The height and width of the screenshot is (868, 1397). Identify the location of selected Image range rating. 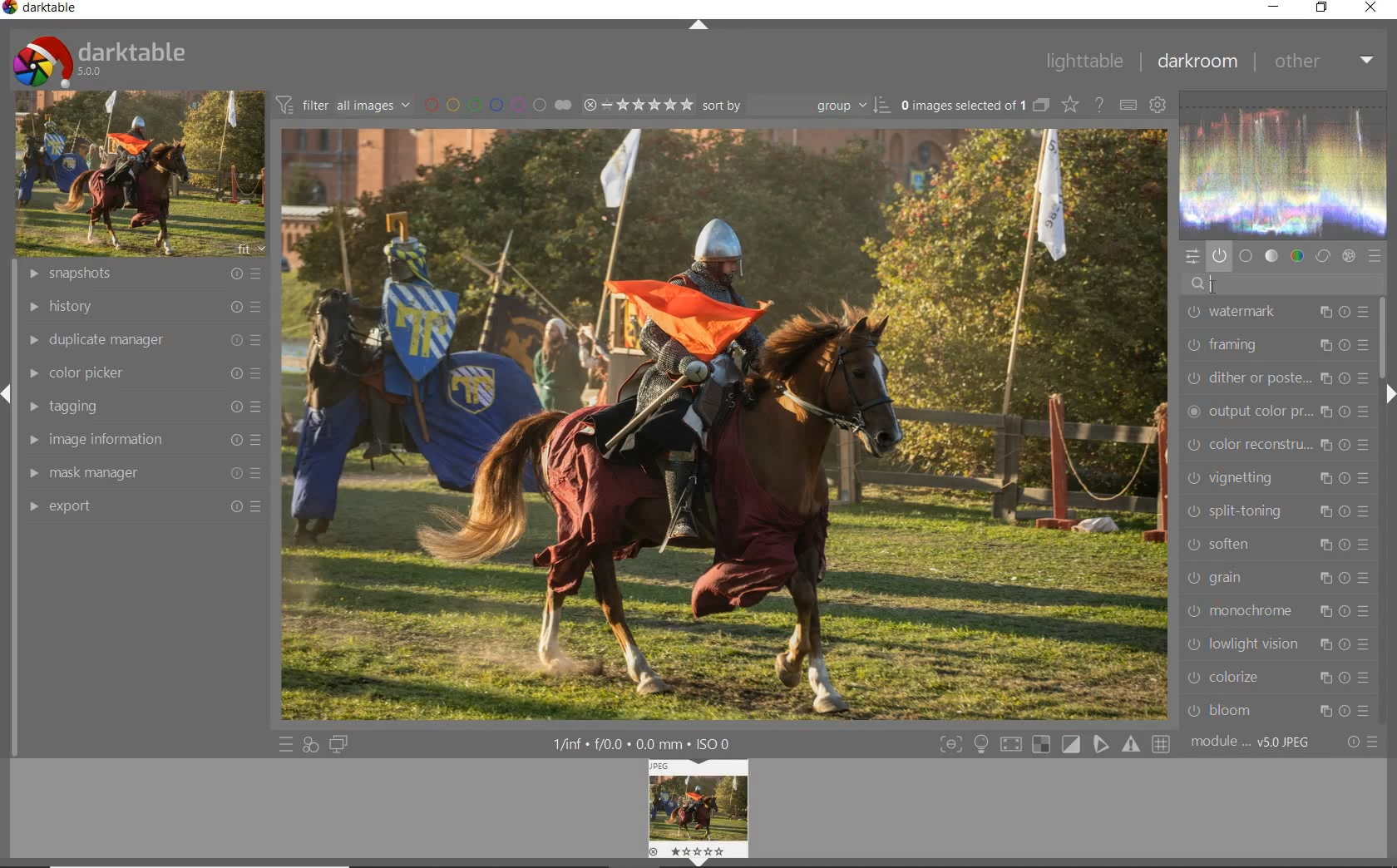
(637, 104).